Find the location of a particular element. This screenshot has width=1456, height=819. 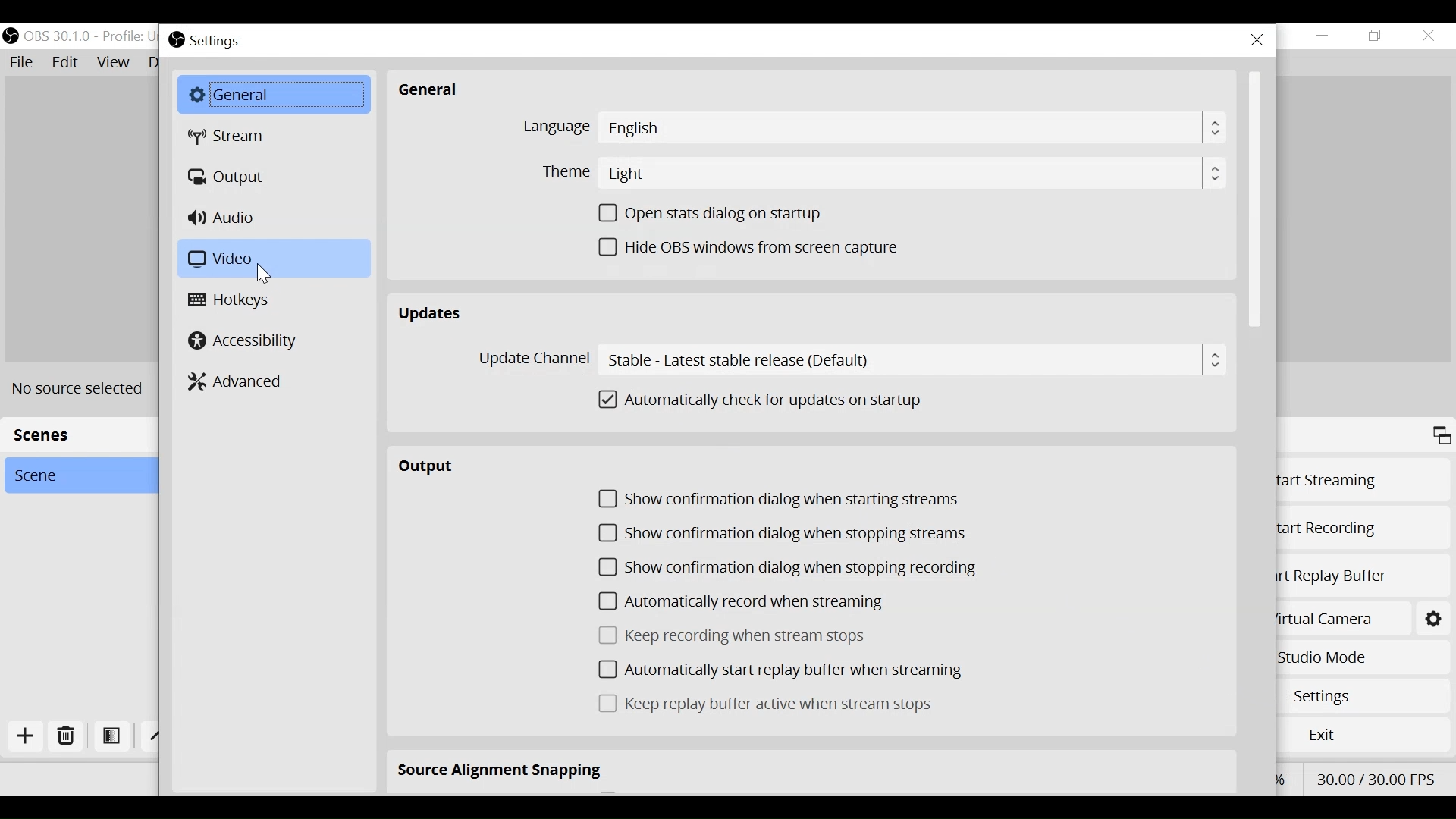

Stable - Latest table release (default) is located at coordinates (915, 360).